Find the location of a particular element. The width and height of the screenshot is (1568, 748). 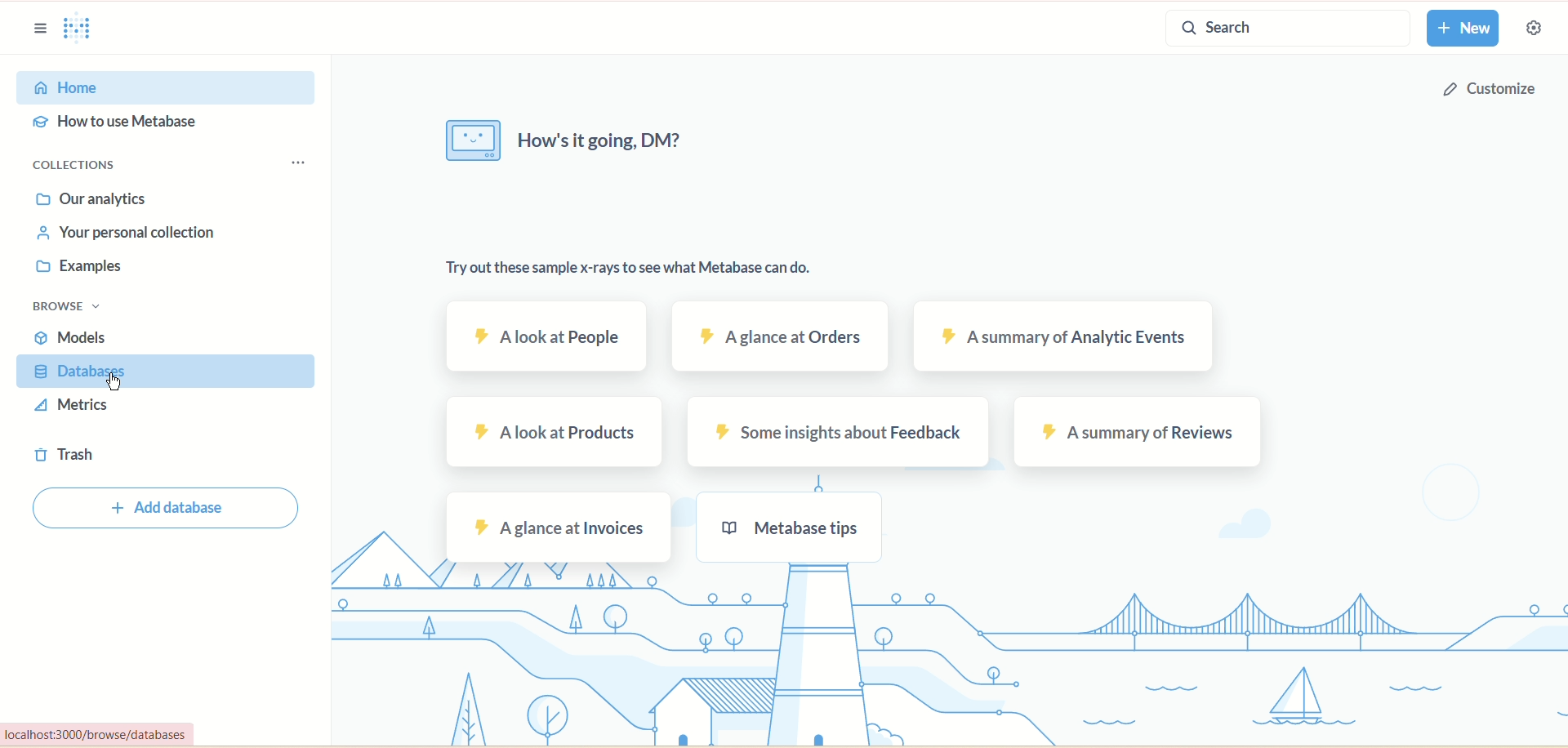

logo is located at coordinates (75, 26).